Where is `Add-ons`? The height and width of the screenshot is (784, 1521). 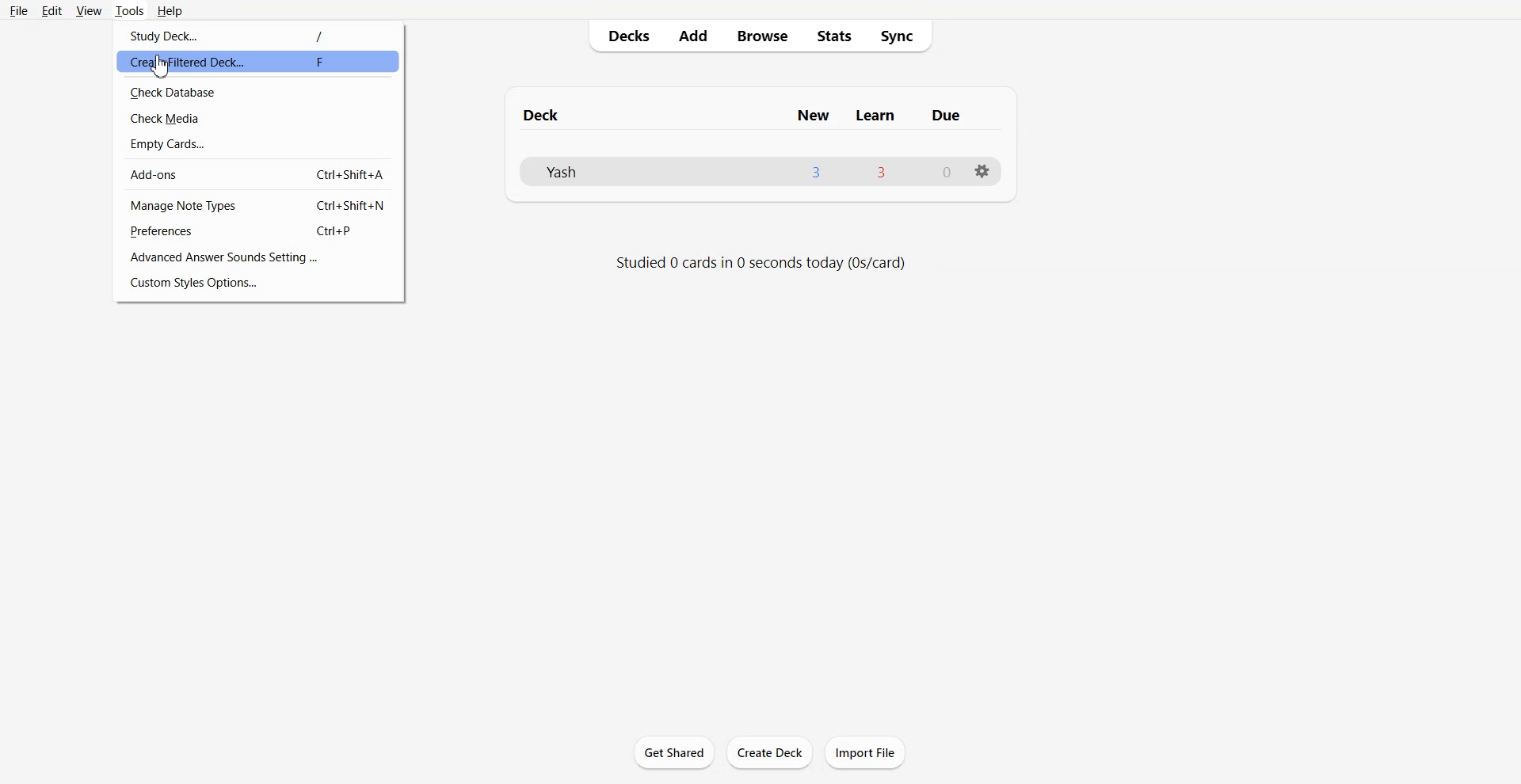
Add-ons is located at coordinates (257, 174).